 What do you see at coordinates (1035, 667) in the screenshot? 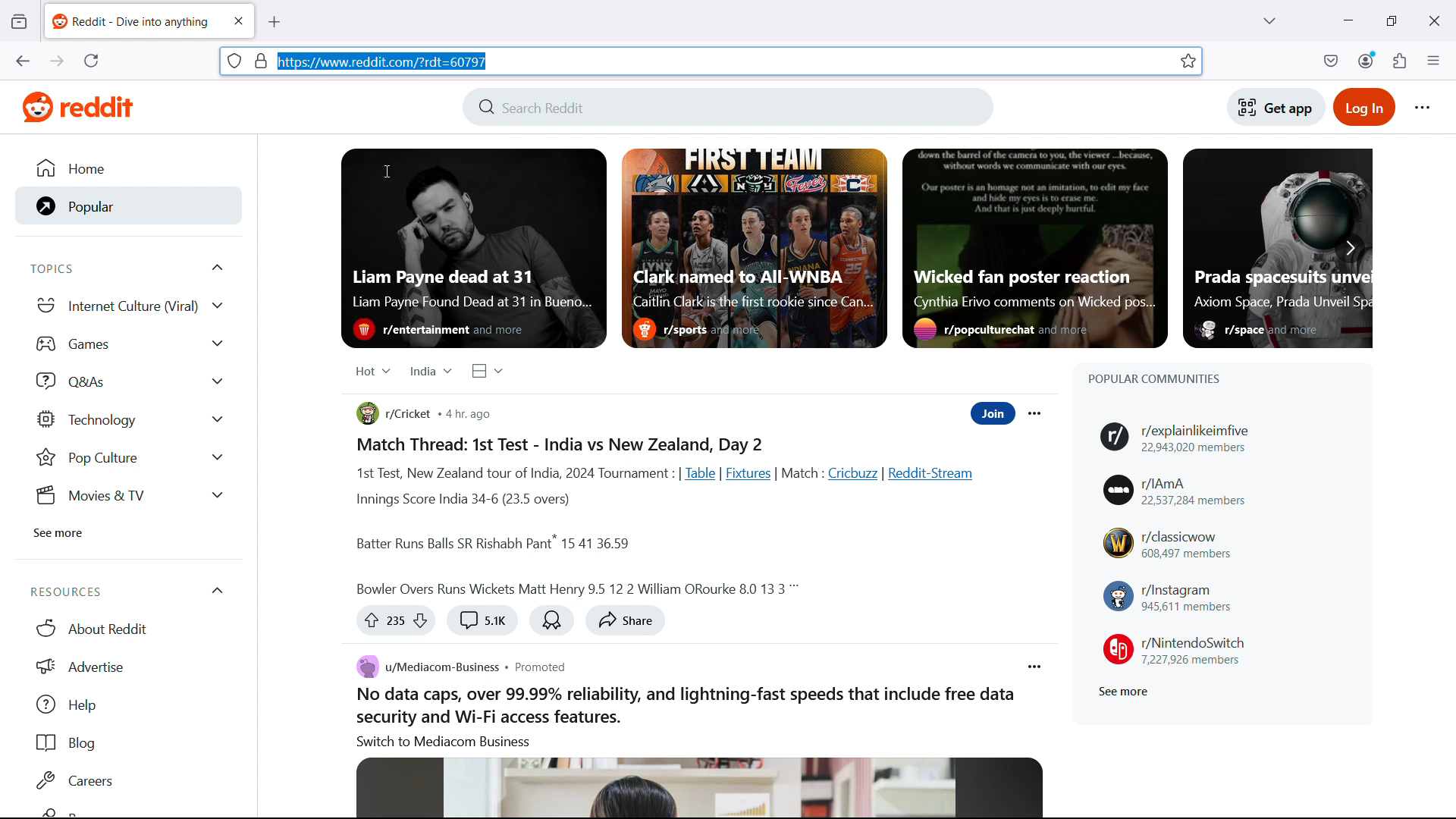
I see `Post options` at bounding box center [1035, 667].